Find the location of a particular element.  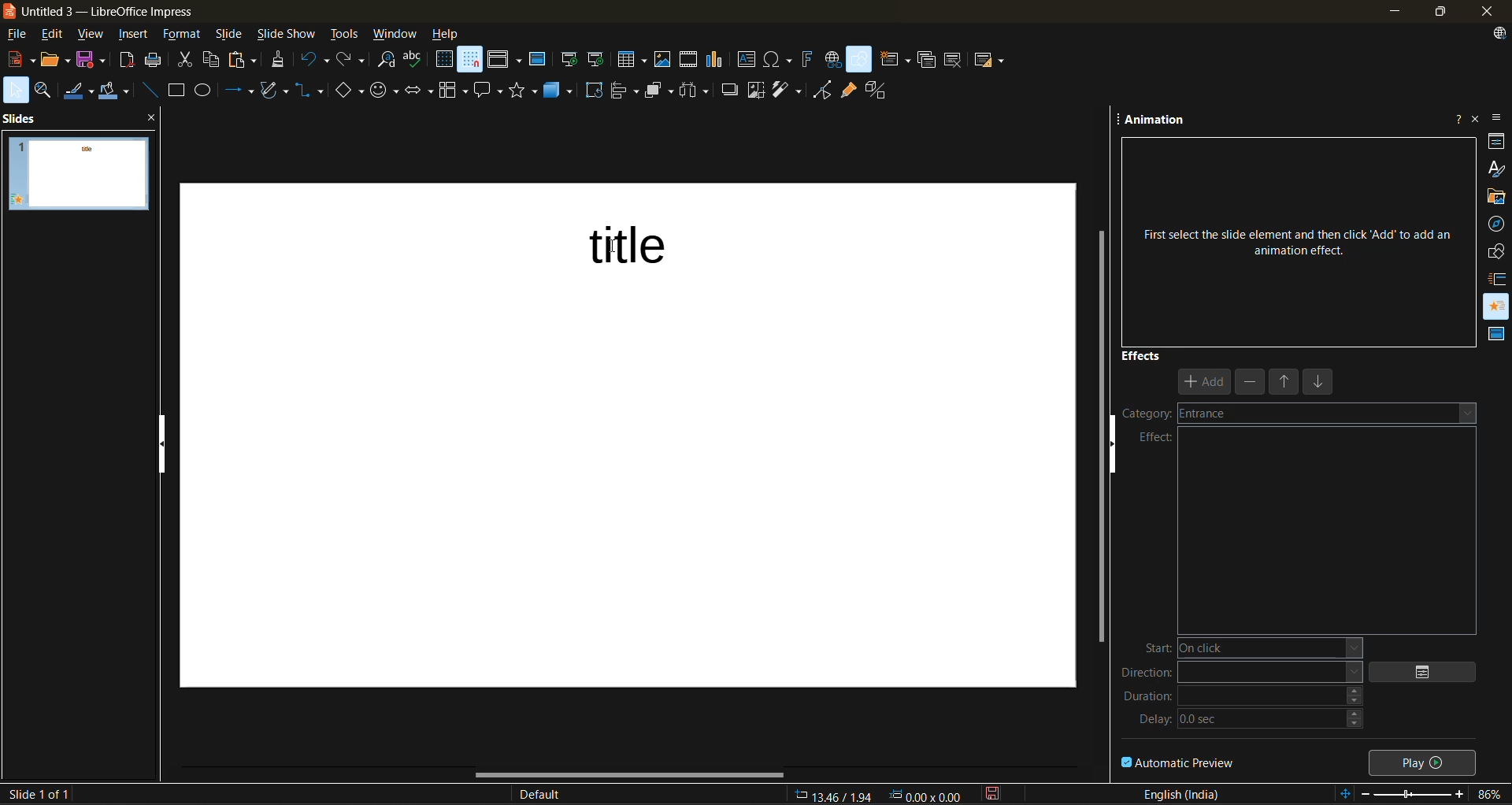

move down is located at coordinates (1321, 384).